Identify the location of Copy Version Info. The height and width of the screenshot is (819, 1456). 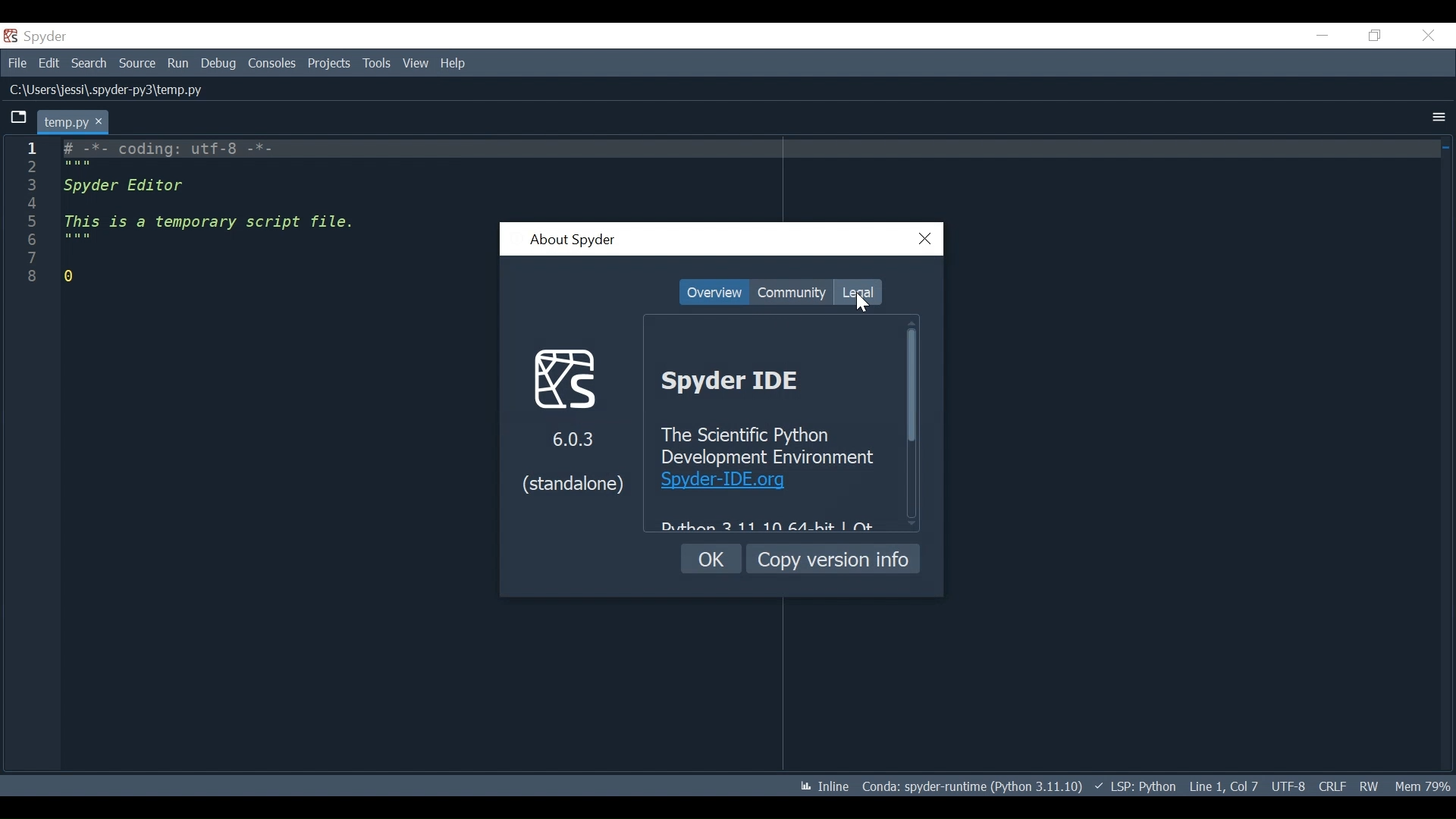
(833, 558).